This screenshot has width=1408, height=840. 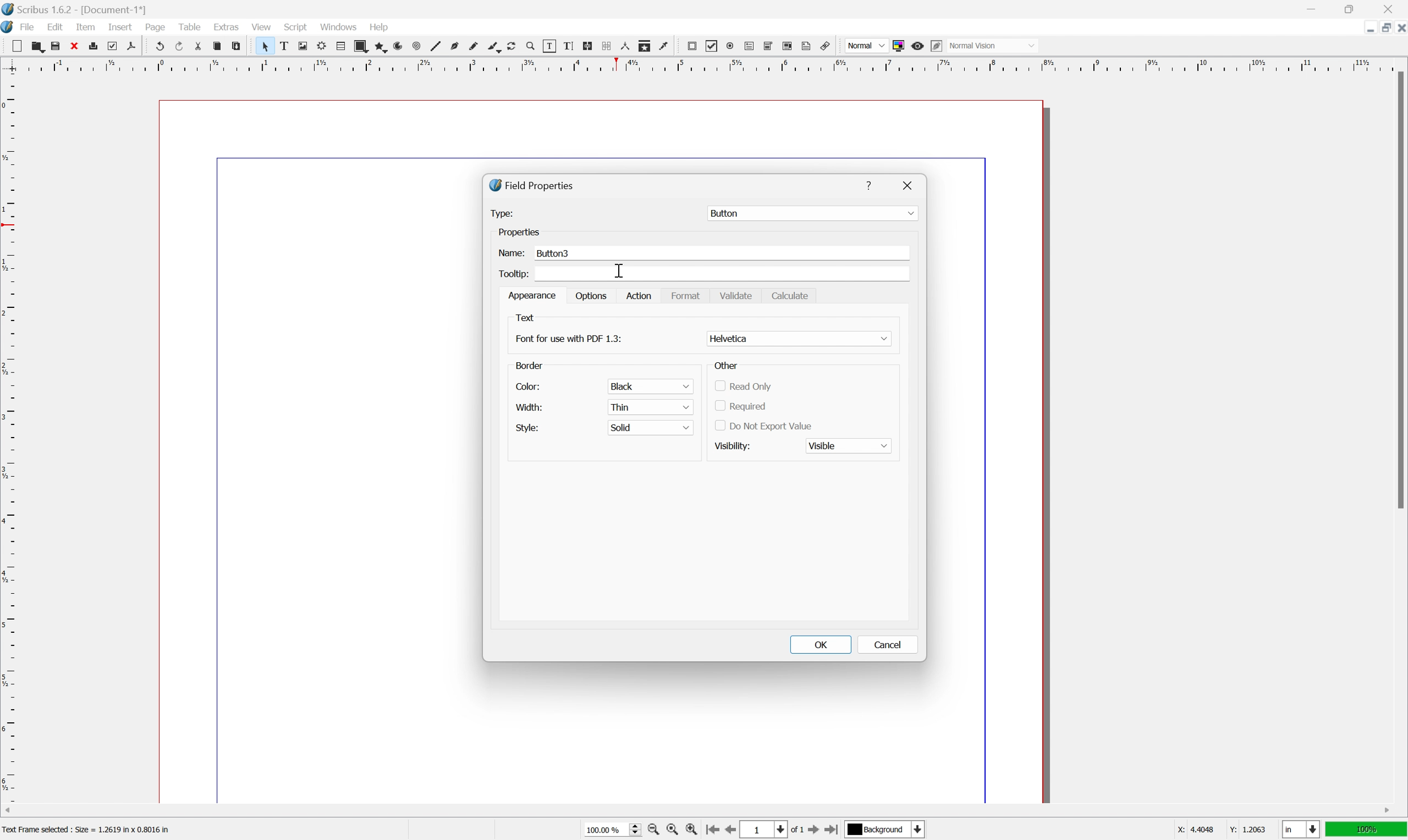 What do you see at coordinates (673, 831) in the screenshot?
I see `zoom to 100%` at bounding box center [673, 831].